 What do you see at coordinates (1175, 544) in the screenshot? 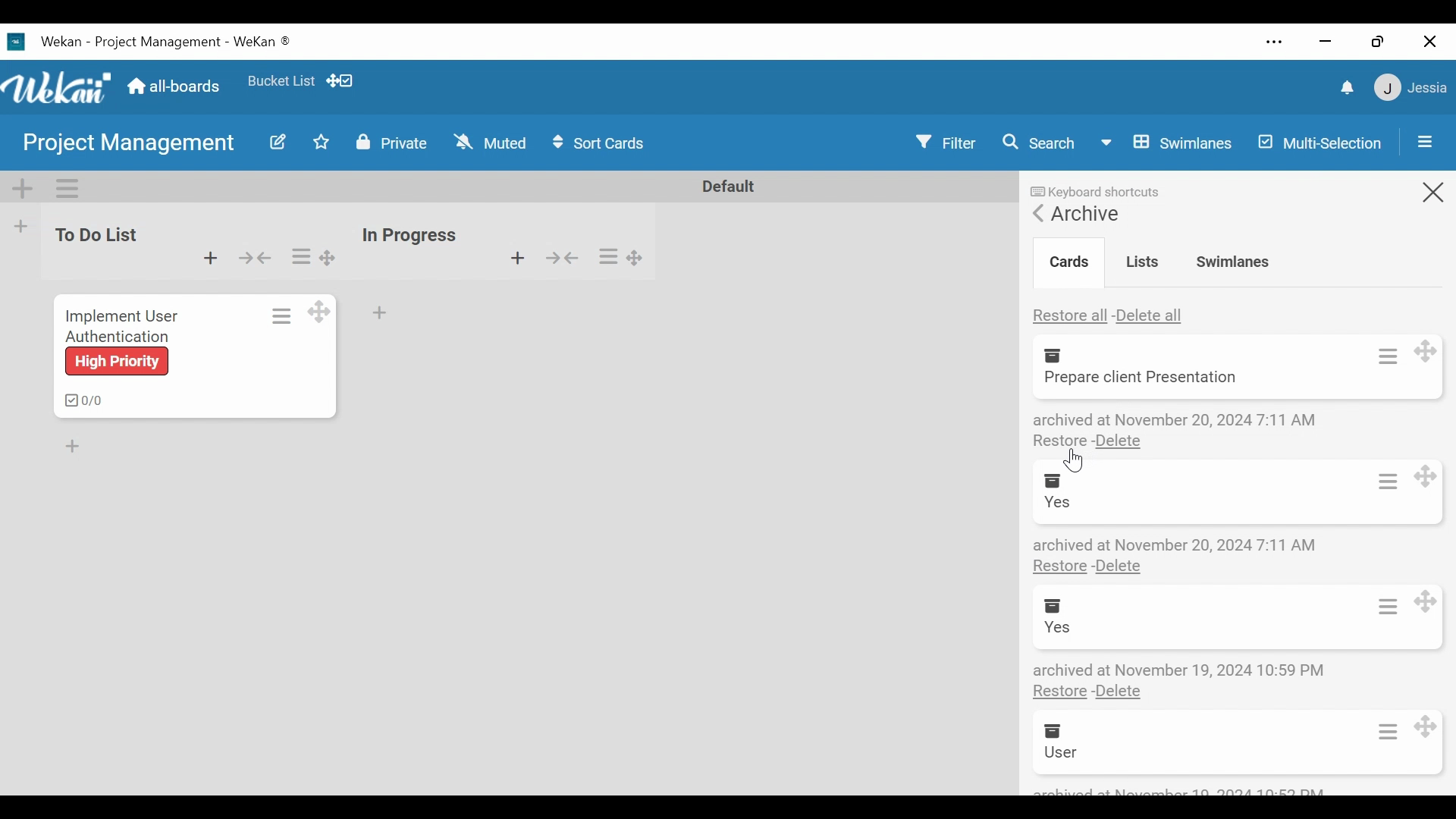
I see `Archive details` at bounding box center [1175, 544].